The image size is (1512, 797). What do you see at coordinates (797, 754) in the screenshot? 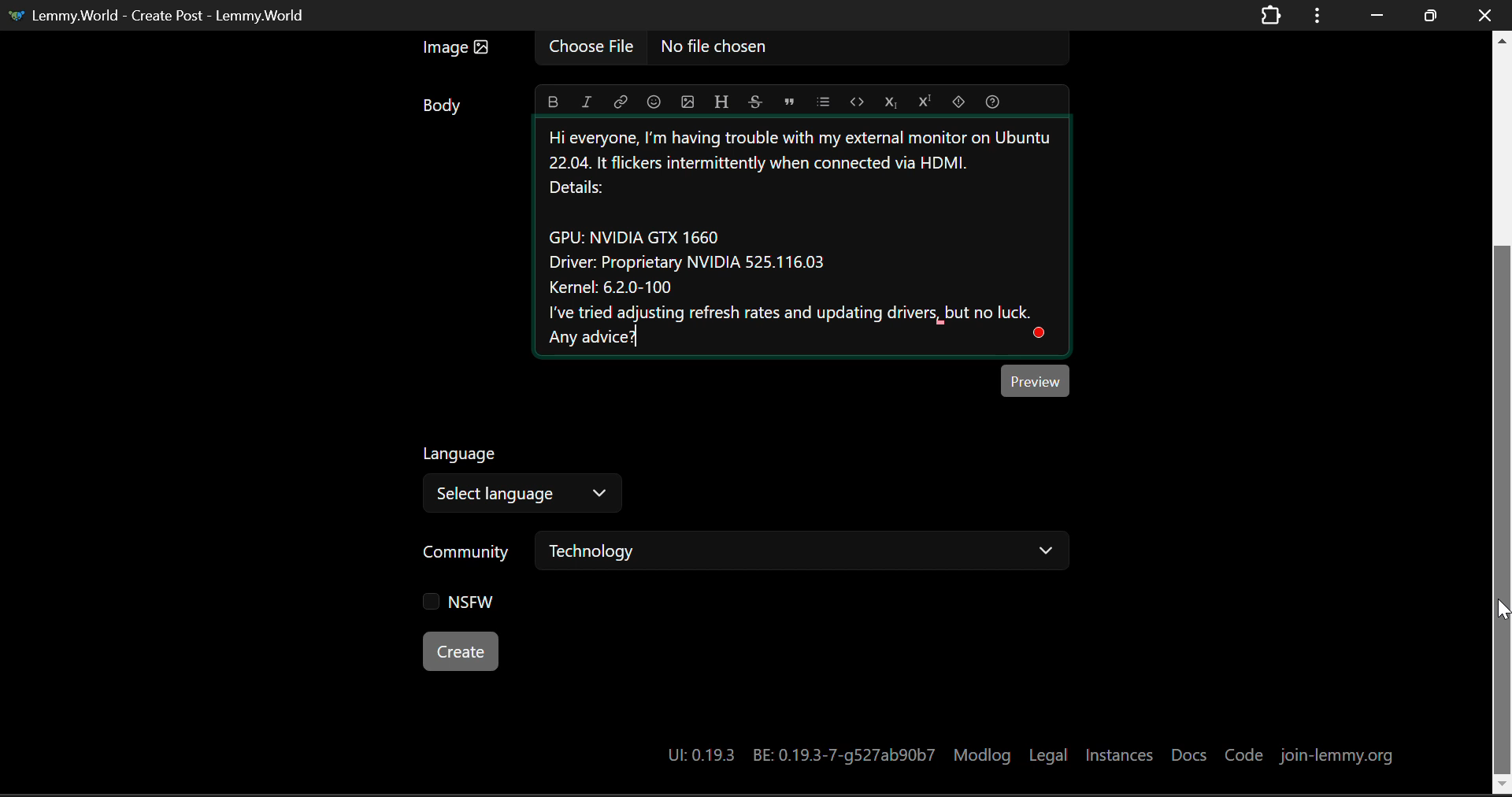
I see `UI:0.19.3 BE:0.19.3-7-g527ab90b7` at bounding box center [797, 754].